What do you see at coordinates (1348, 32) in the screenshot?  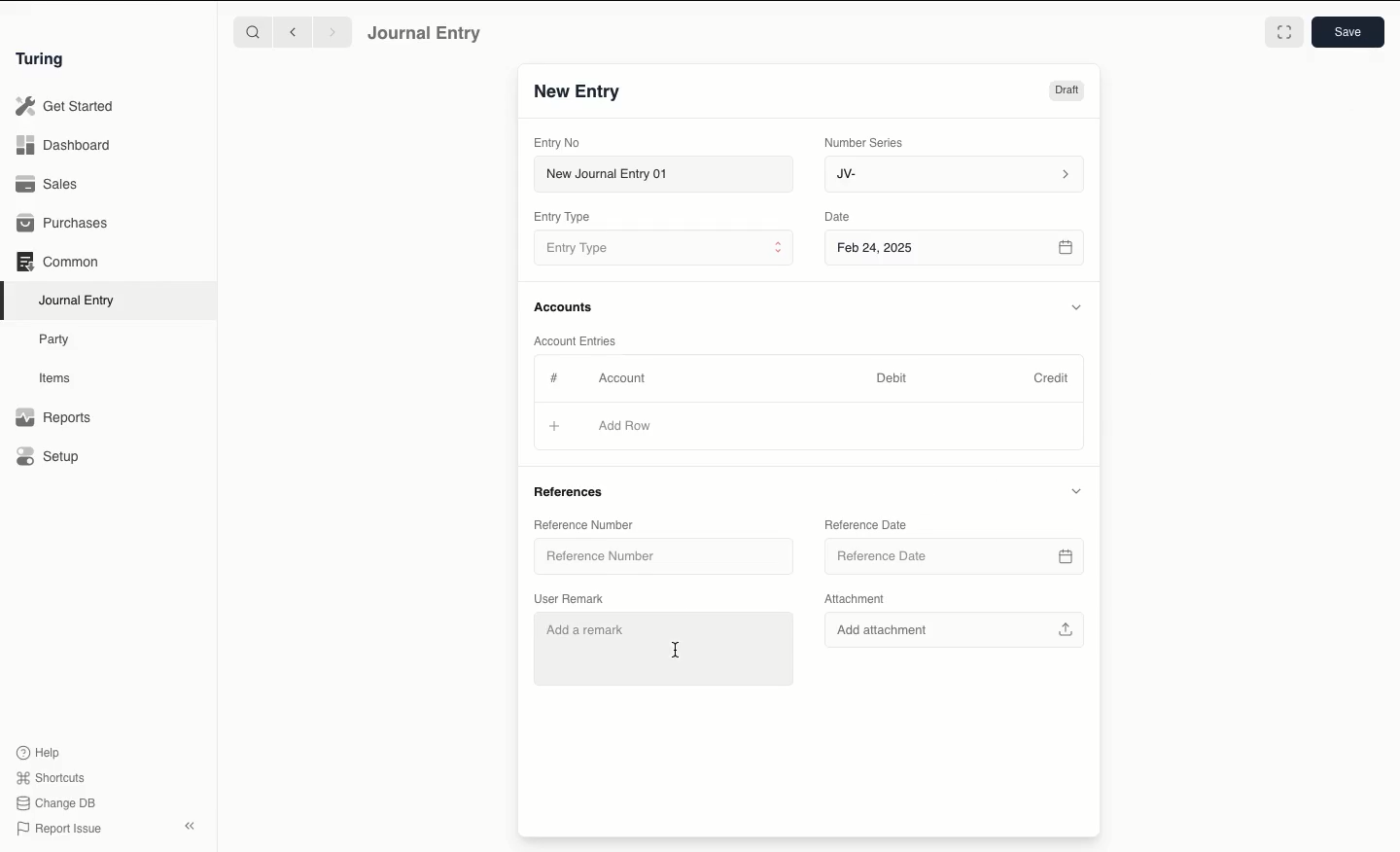 I see `Save` at bounding box center [1348, 32].